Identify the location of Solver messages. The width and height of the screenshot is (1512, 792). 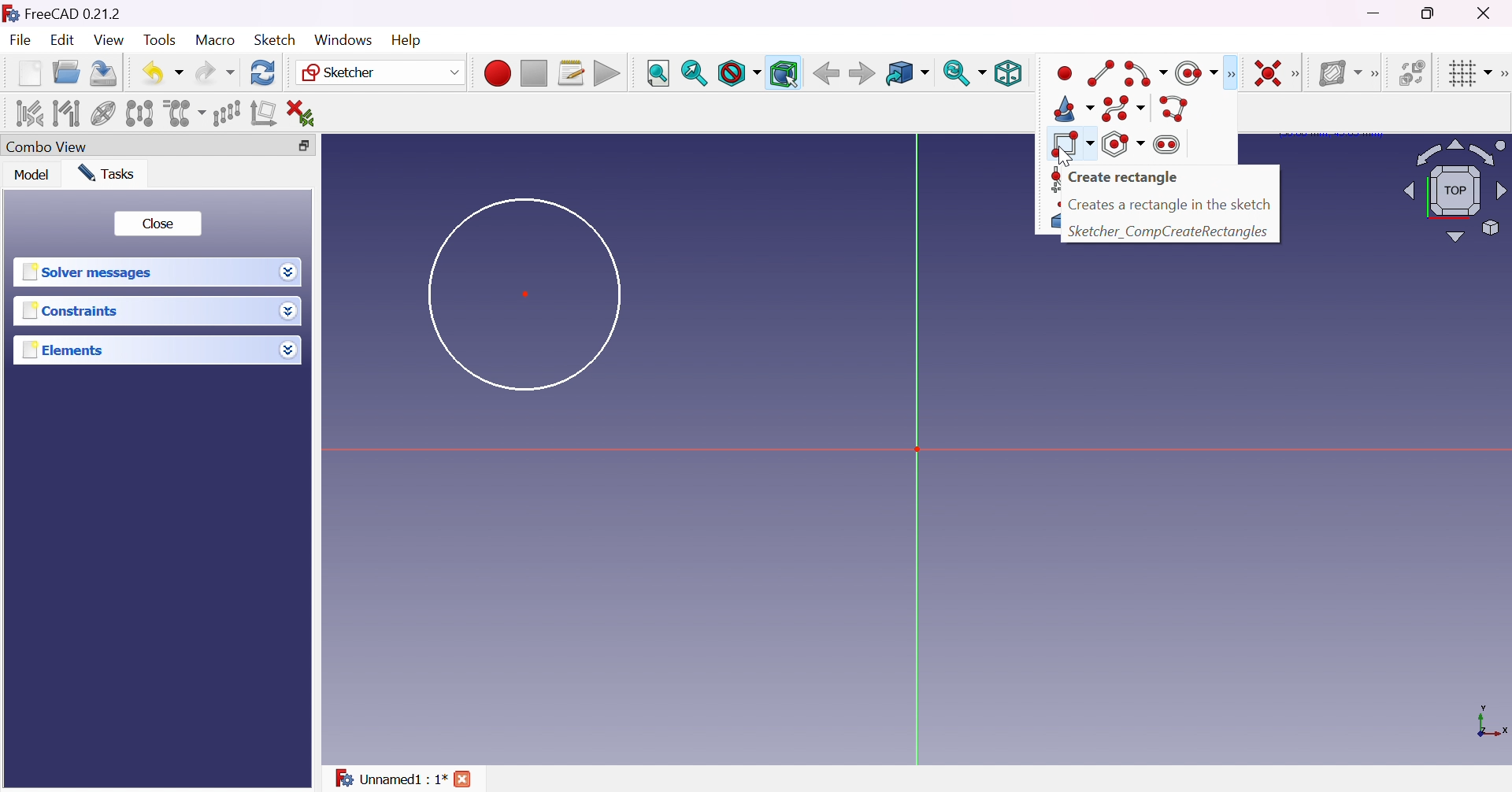
(87, 272).